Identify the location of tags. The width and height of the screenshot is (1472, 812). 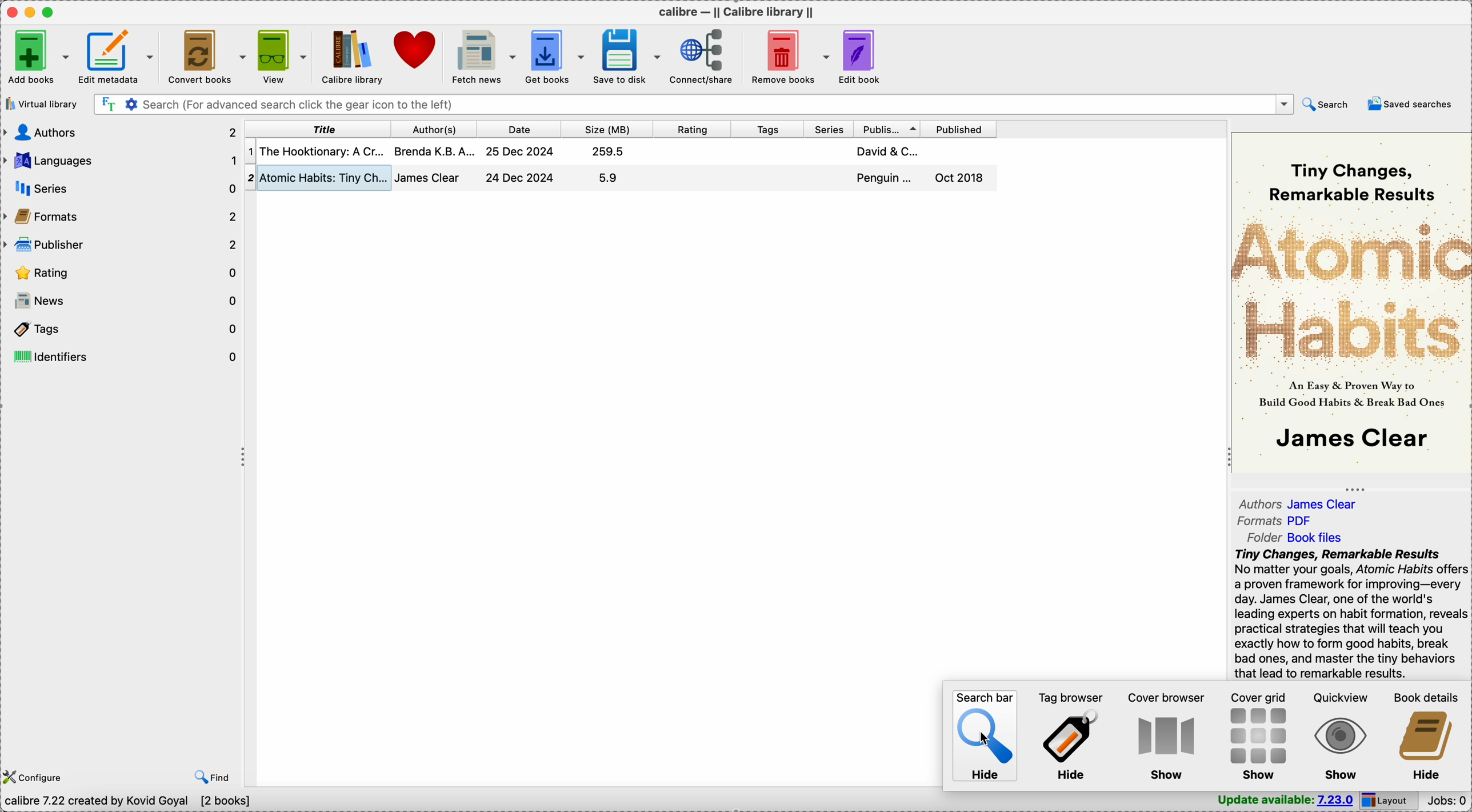
(122, 329).